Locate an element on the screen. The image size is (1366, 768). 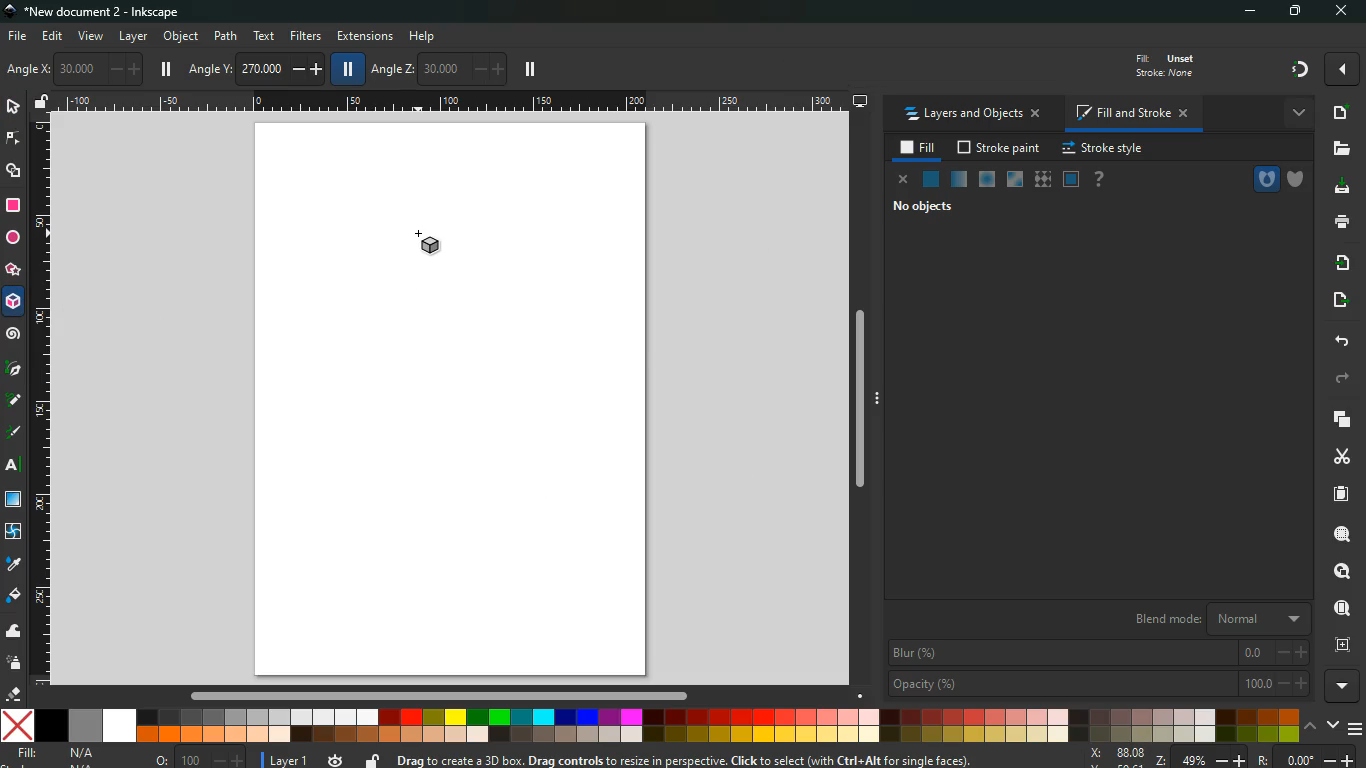
forward is located at coordinates (1341, 380).